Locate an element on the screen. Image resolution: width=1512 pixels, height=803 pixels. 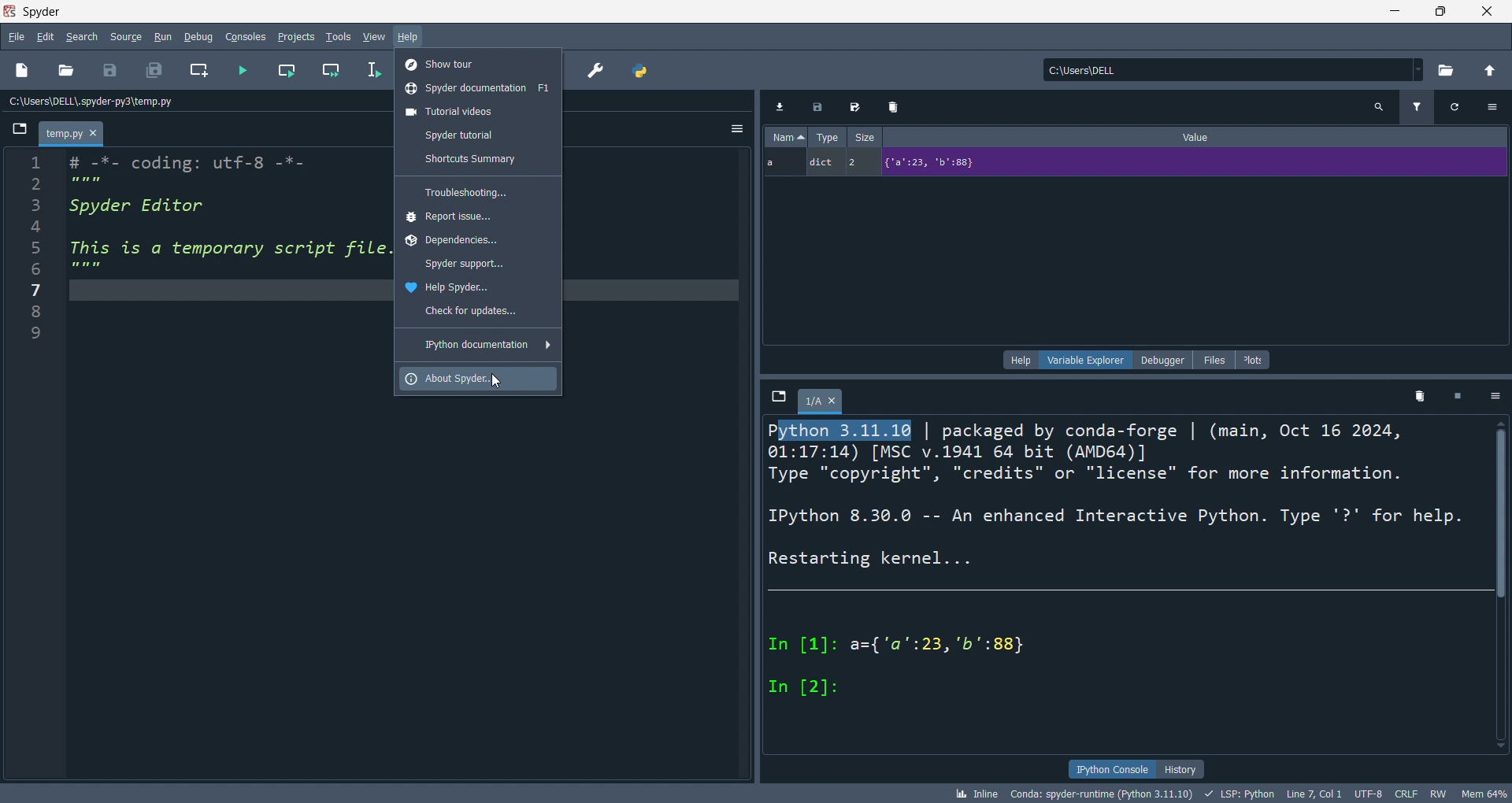
open file is located at coordinates (65, 72).